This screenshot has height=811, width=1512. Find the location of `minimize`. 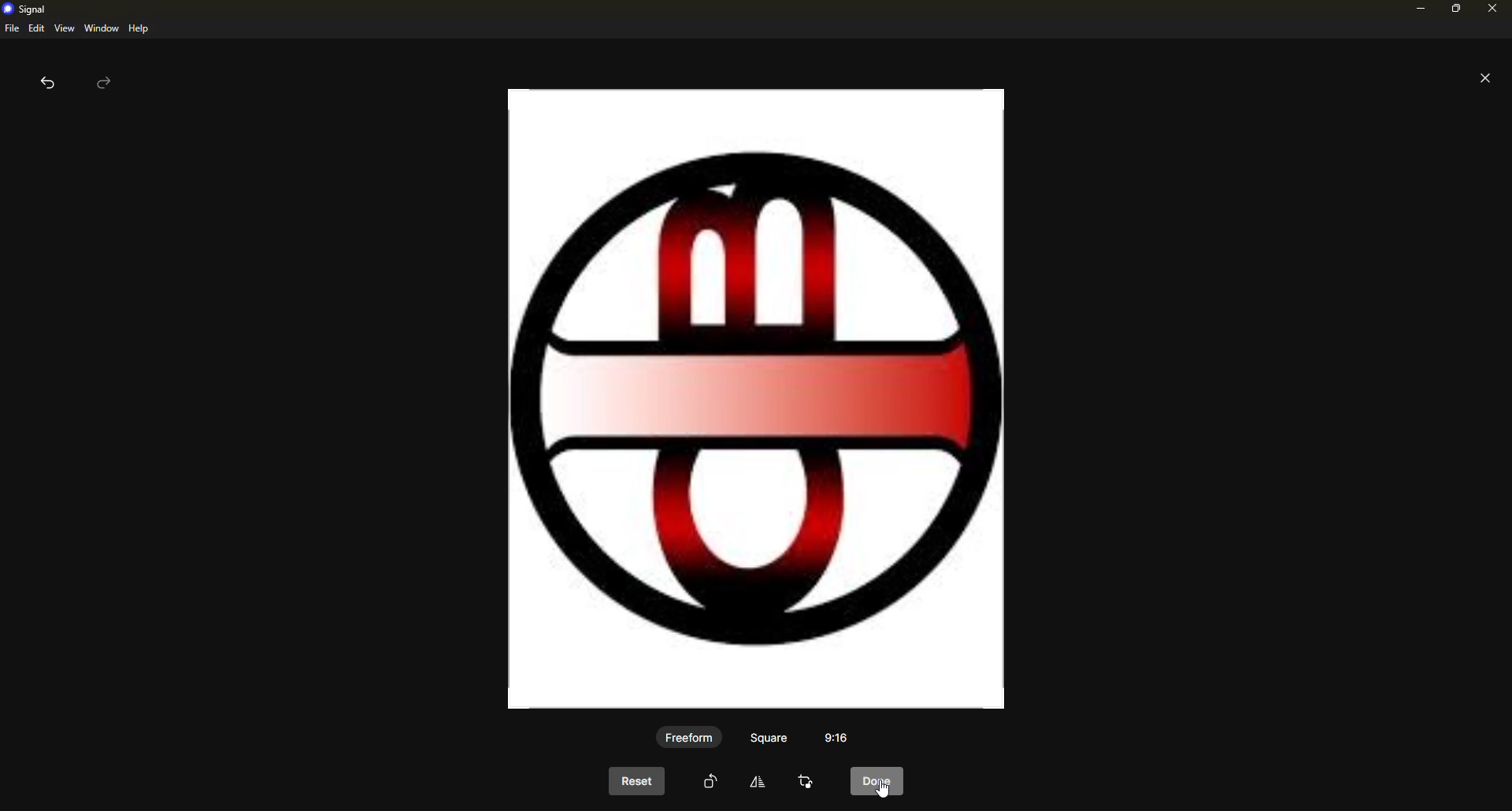

minimize is located at coordinates (1414, 8).